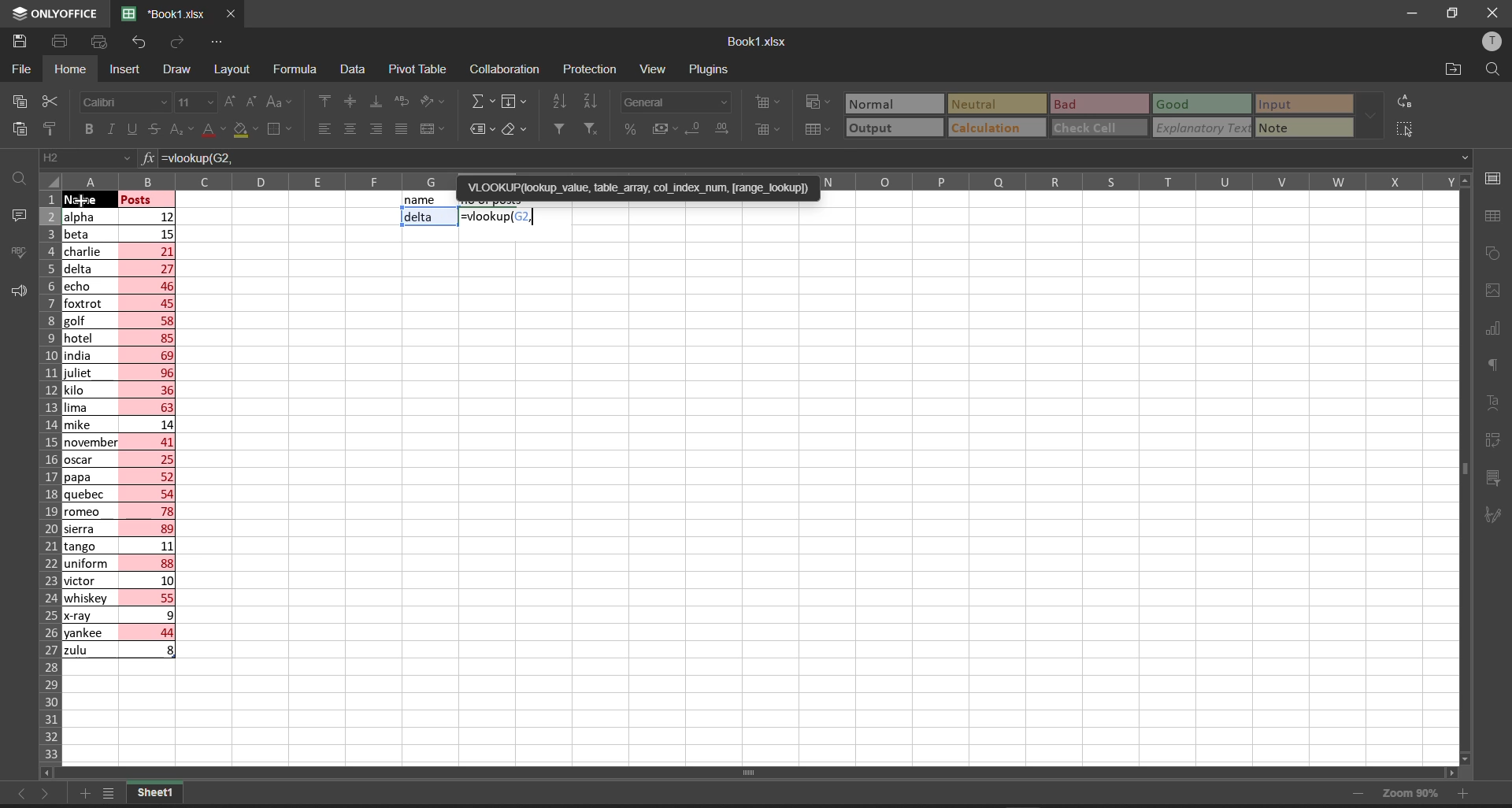  Describe the element at coordinates (691, 129) in the screenshot. I see `decrease decimal` at that location.